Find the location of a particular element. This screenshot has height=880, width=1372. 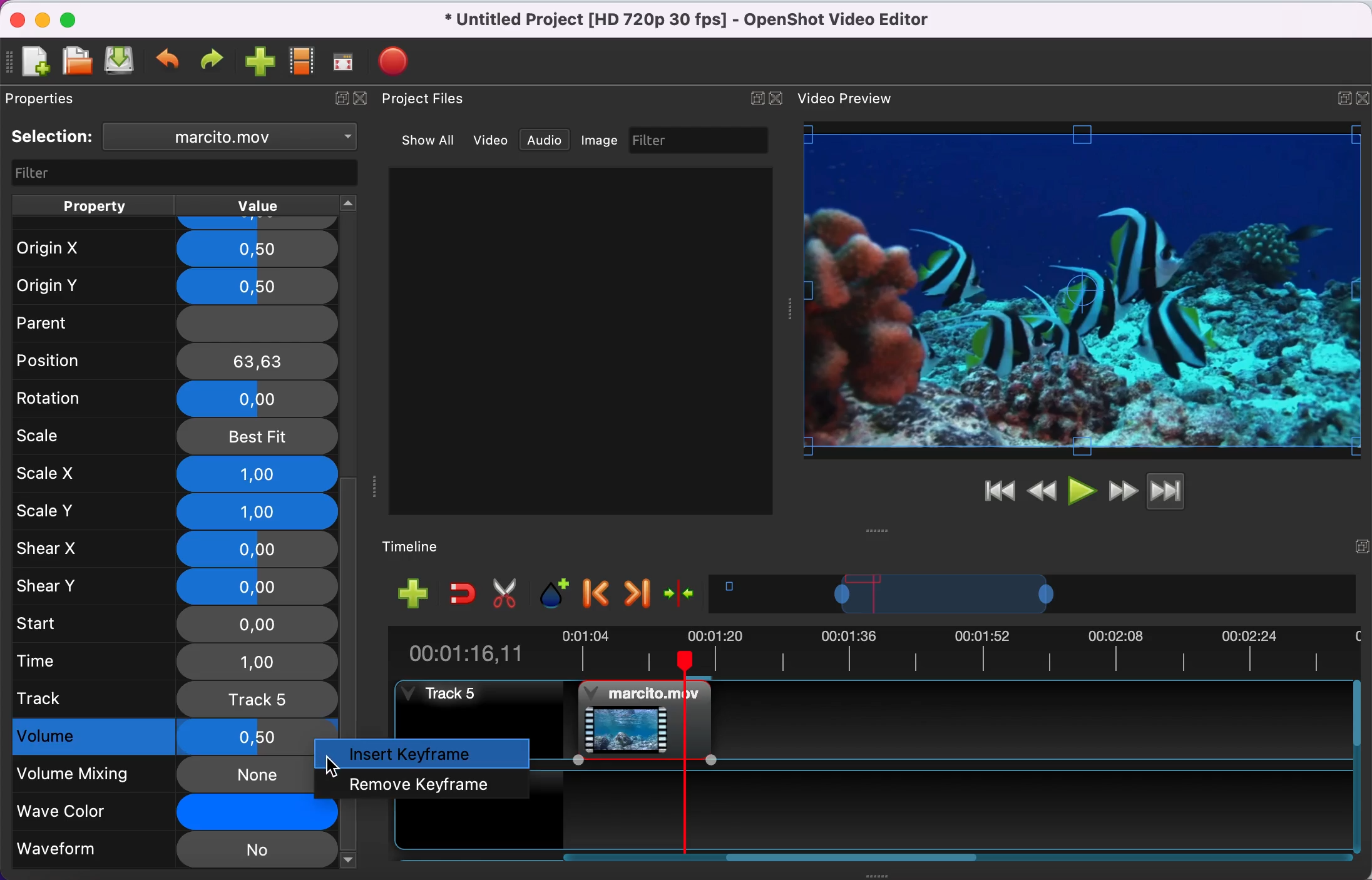

play is located at coordinates (1082, 489).